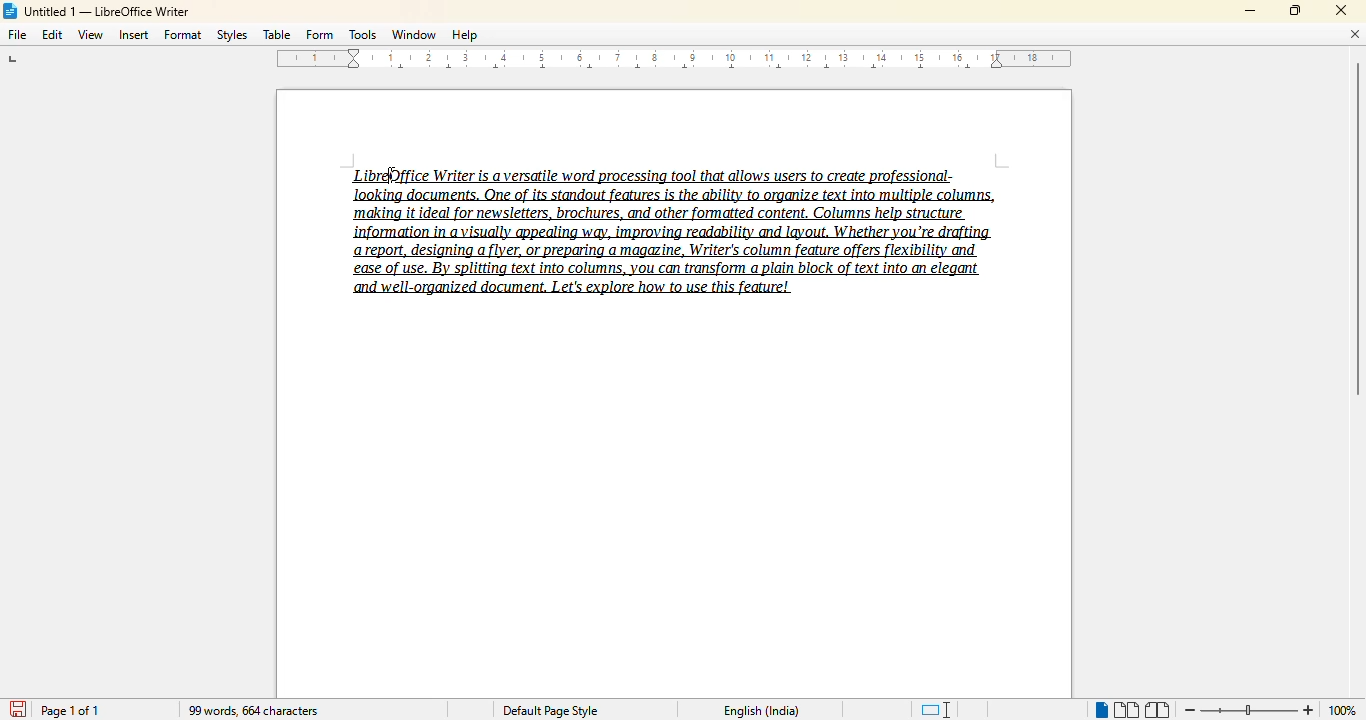 This screenshot has width=1366, height=720. What do you see at coordinates (19, 708) in the screenshot?
I see `save document` at bounding box center [19, 708].